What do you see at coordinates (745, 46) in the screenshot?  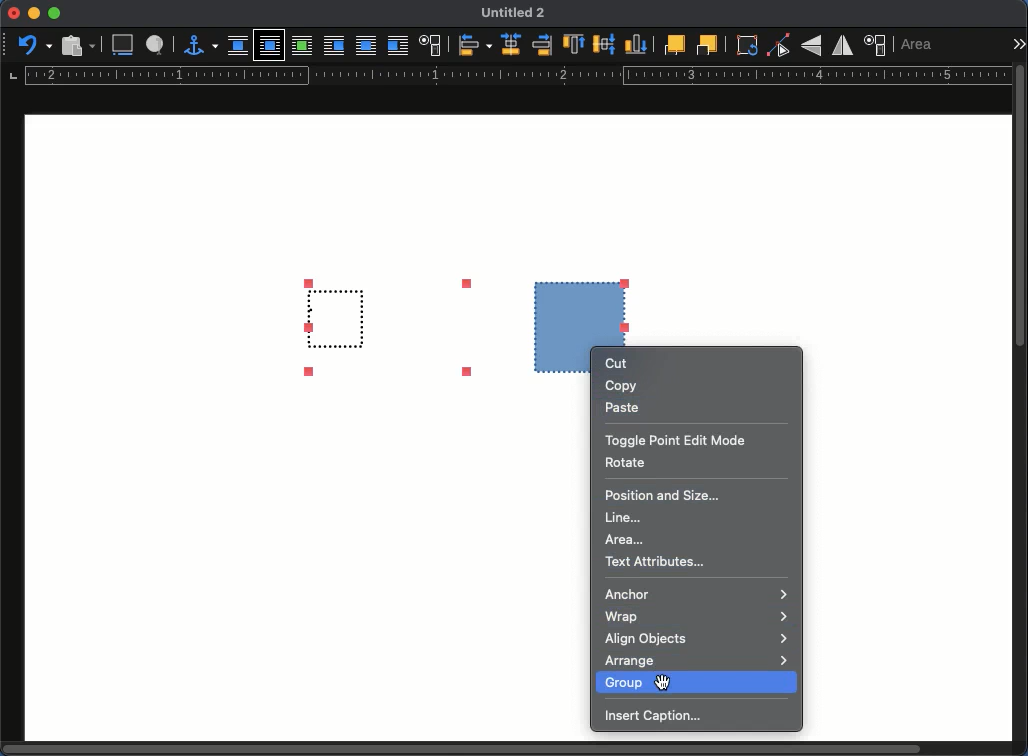 I see `rotate` at bounding box center [745, 46].